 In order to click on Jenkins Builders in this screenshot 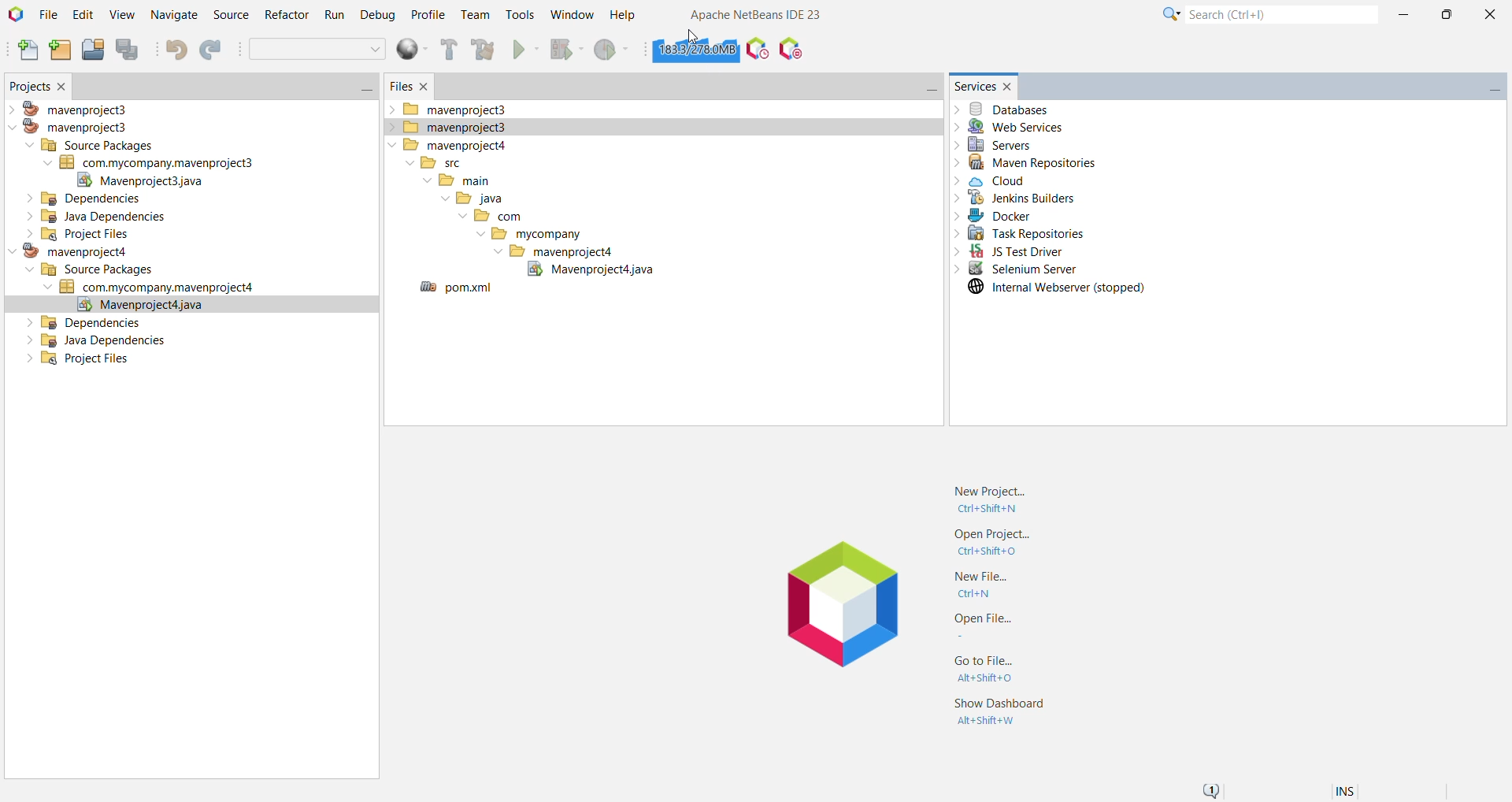, I will do `click(1015, 200)`.